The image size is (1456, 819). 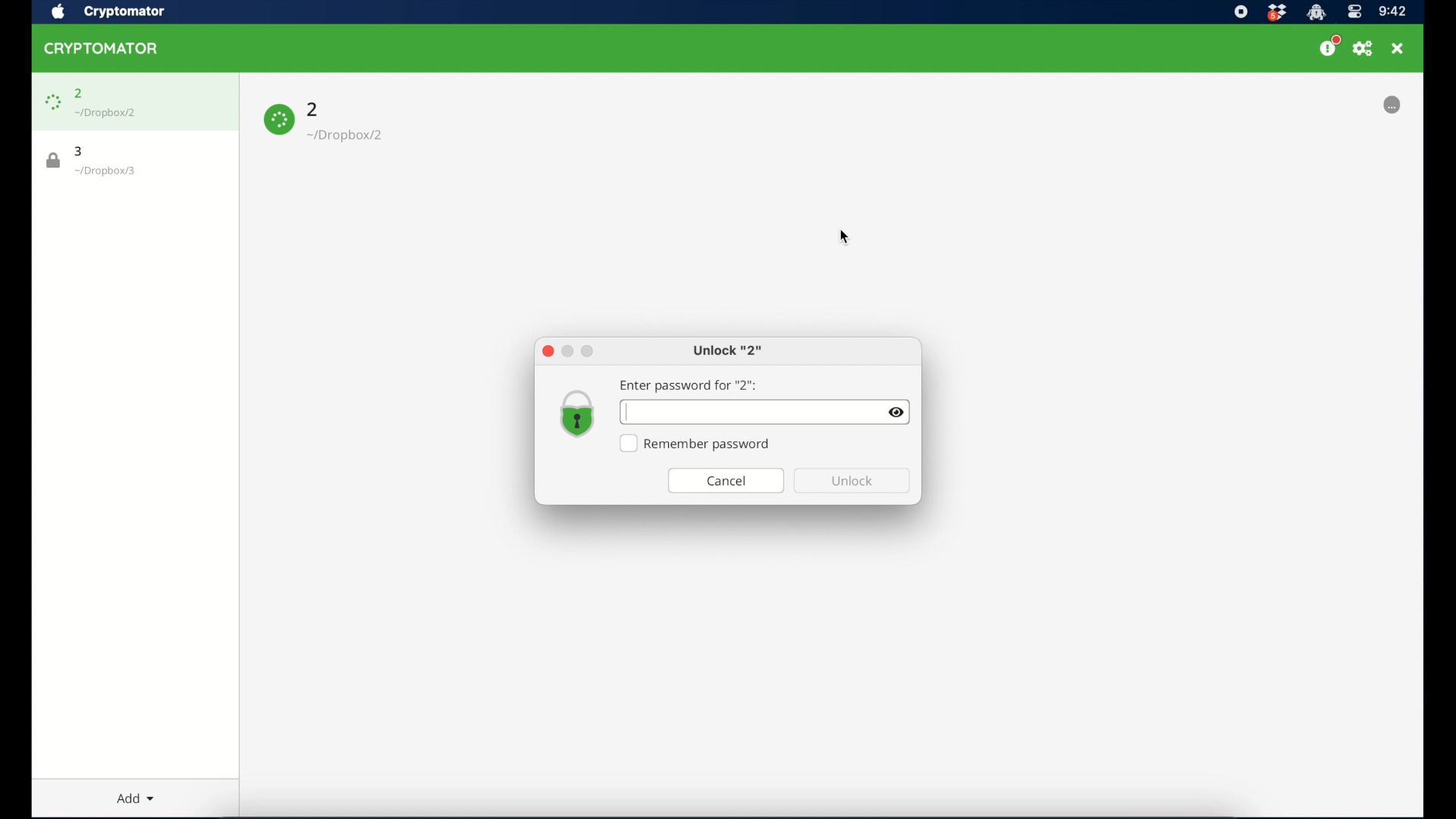 What do you see at coordinates (627, 413) in the screenshot?
I see `cursor` at bounding box center [627, 413].